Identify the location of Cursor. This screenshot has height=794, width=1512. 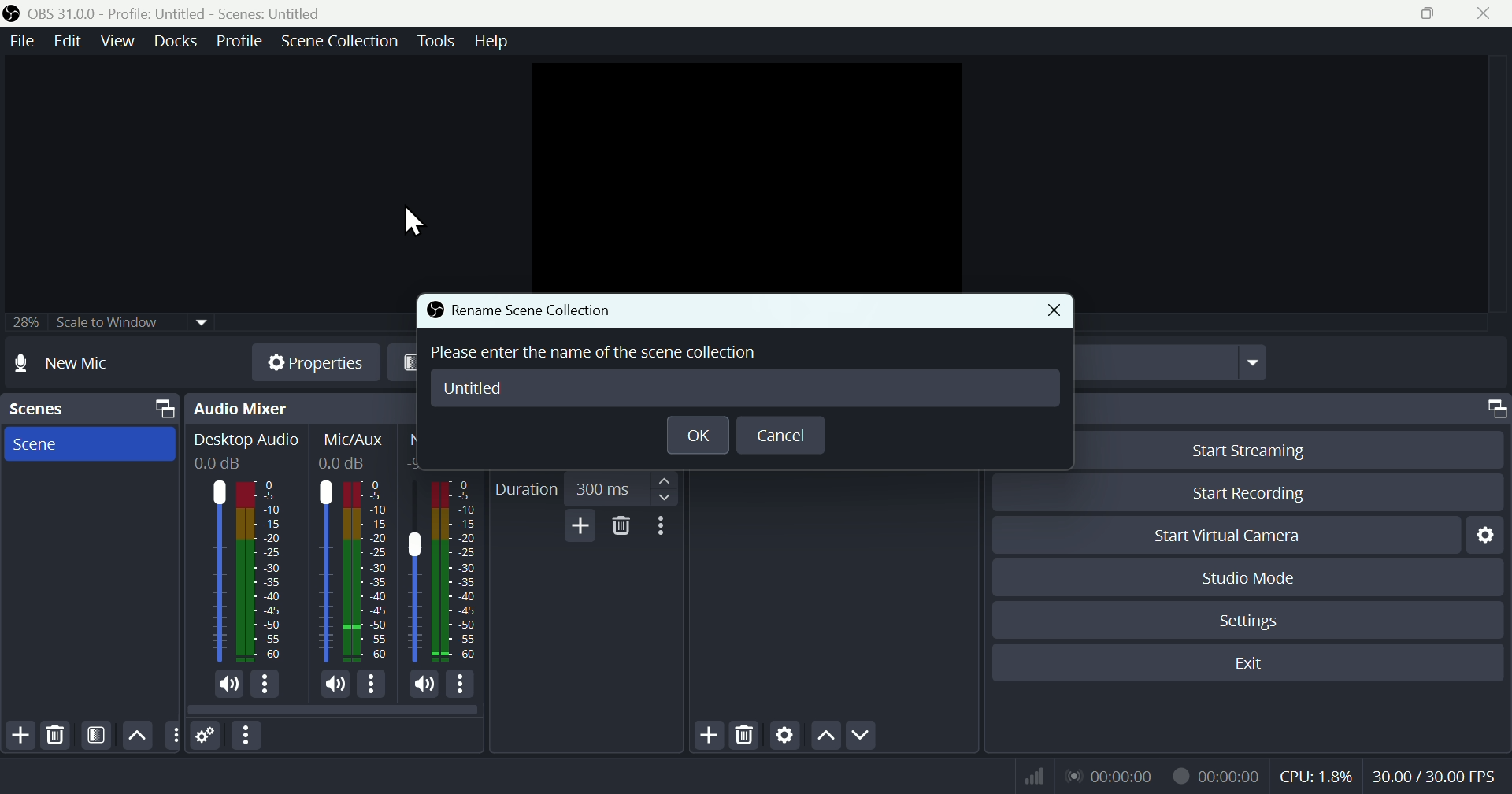
(415, 220).